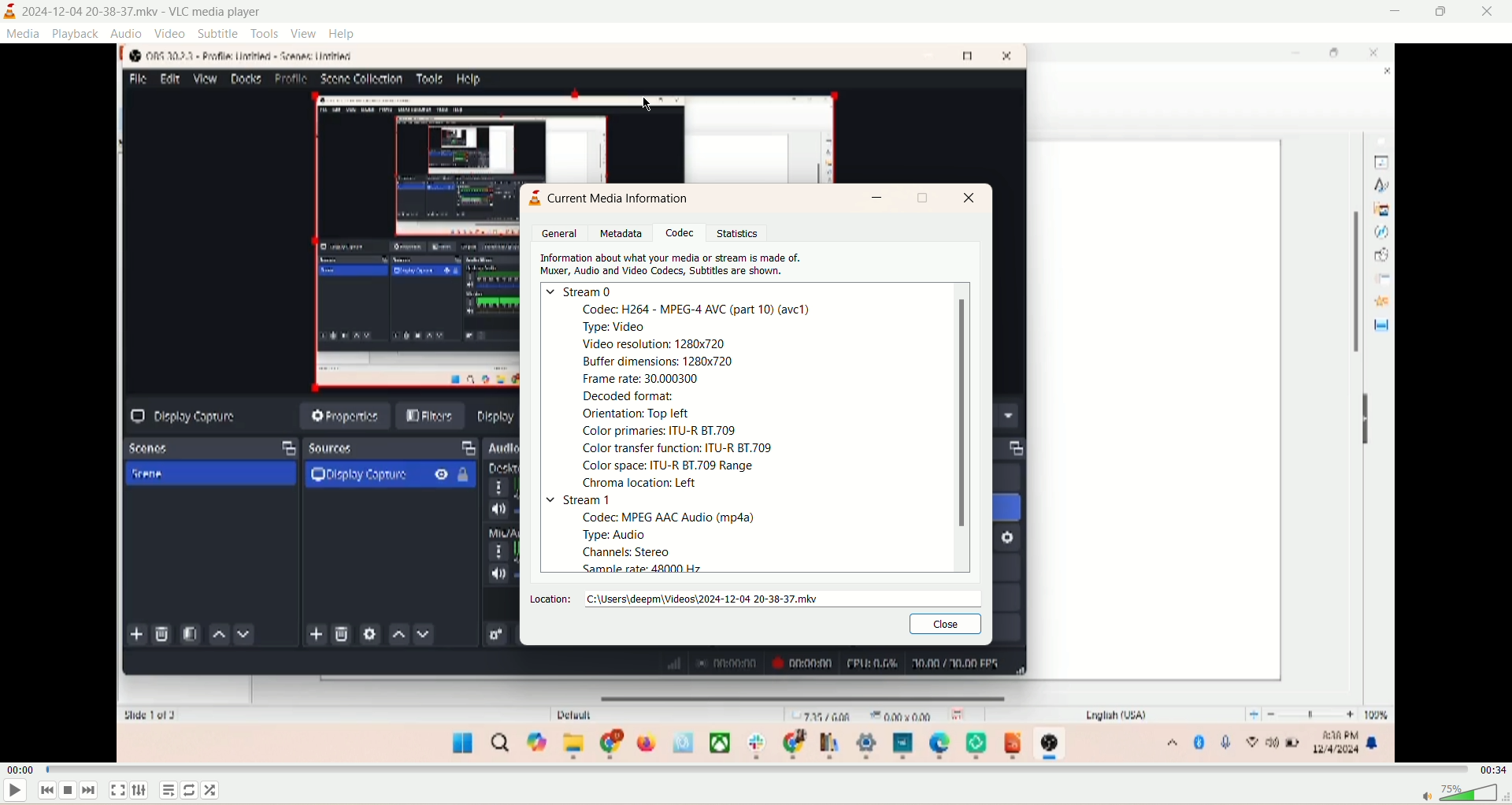 The height and width of the screenshot is (805, 1512). I want to click on metadata, so click(623, 233).